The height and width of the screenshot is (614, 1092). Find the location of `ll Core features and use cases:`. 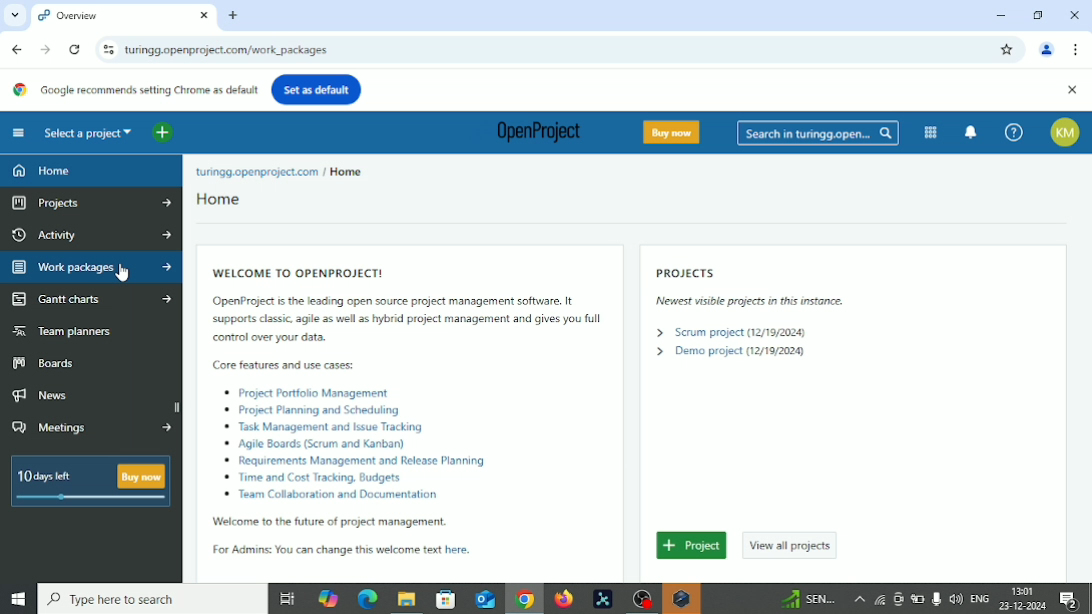

ll Core features and use cases: is located at coordinates (283, 365).